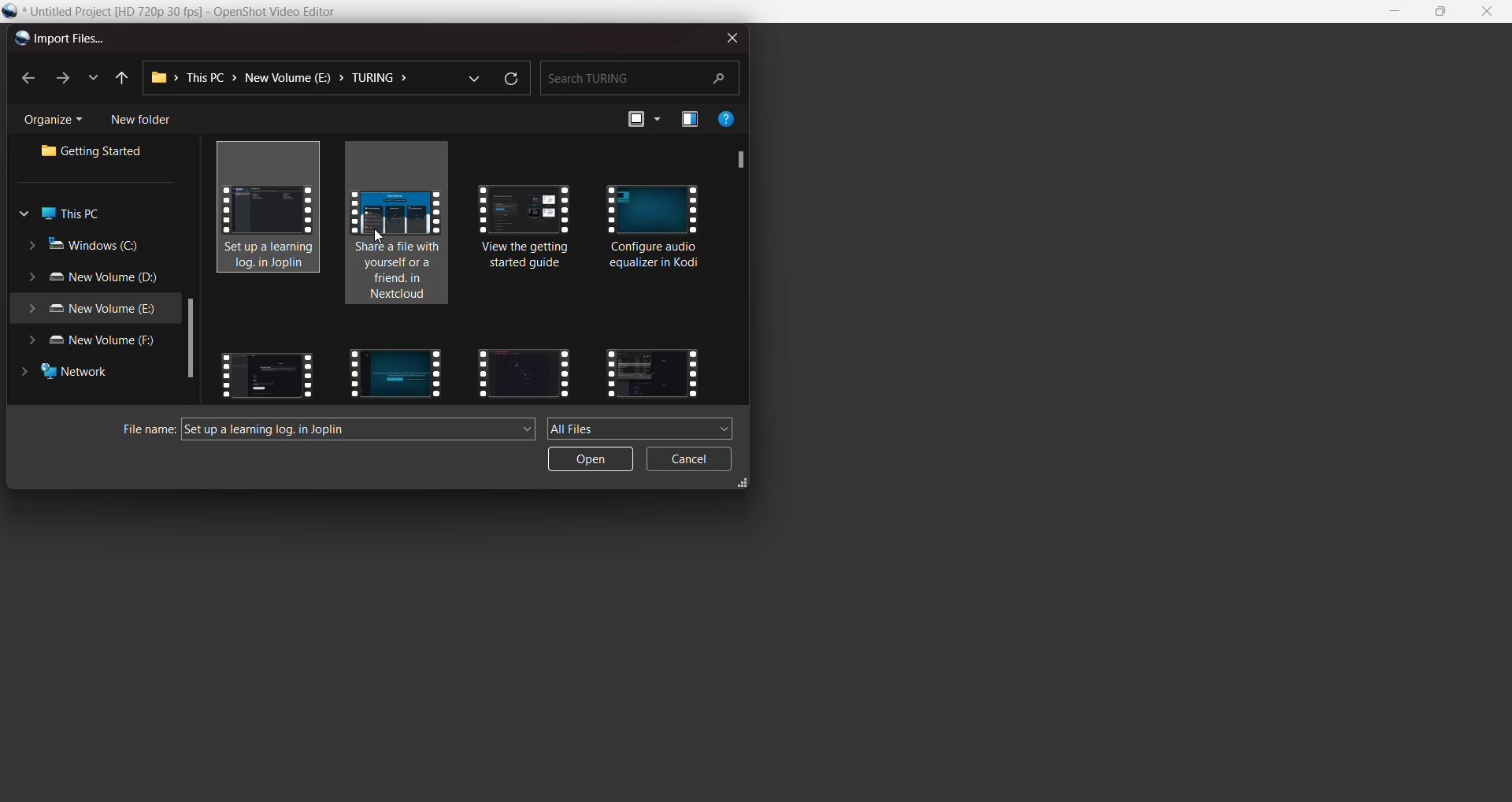 This screenshot has width=1512, height=802. I want to click on close dialog, so click(728, 36).